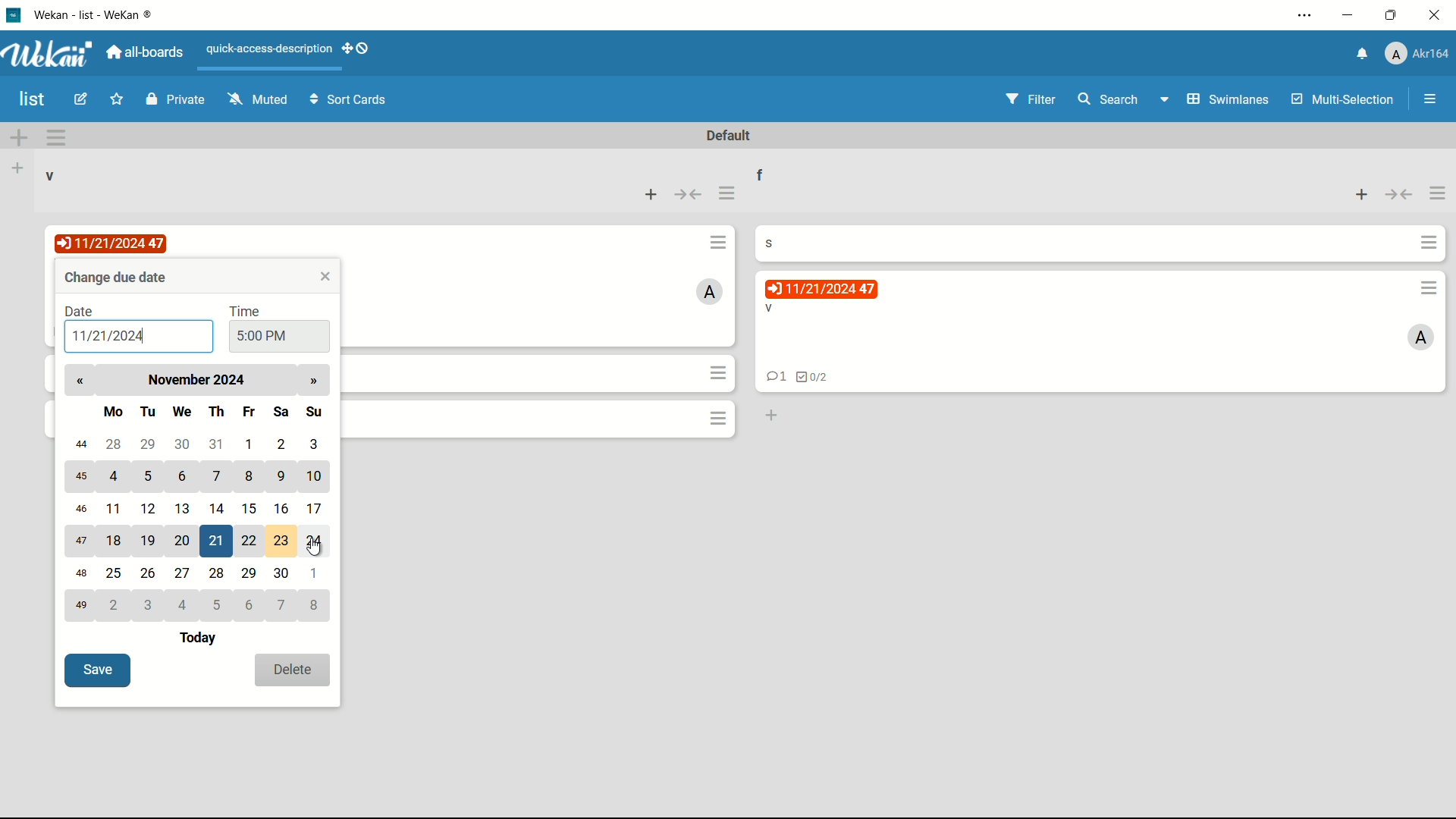 The image size is (1456, 819). I want to click on list actions, so click(1439, 196).